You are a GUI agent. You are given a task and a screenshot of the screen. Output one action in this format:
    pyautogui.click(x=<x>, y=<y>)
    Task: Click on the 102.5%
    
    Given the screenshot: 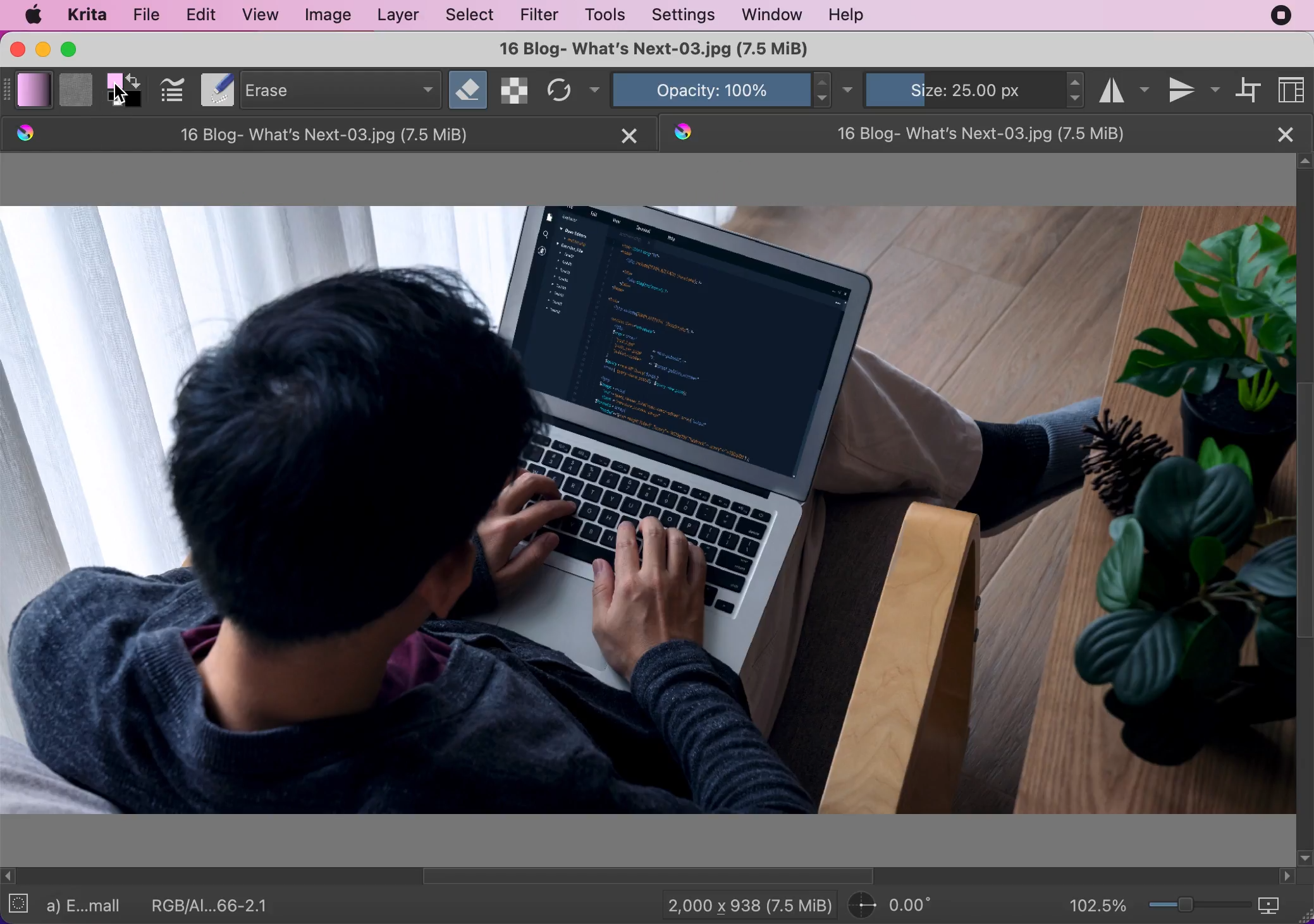 What is the action you would take?
    pyautogui.click(x=1098, y=904)
    